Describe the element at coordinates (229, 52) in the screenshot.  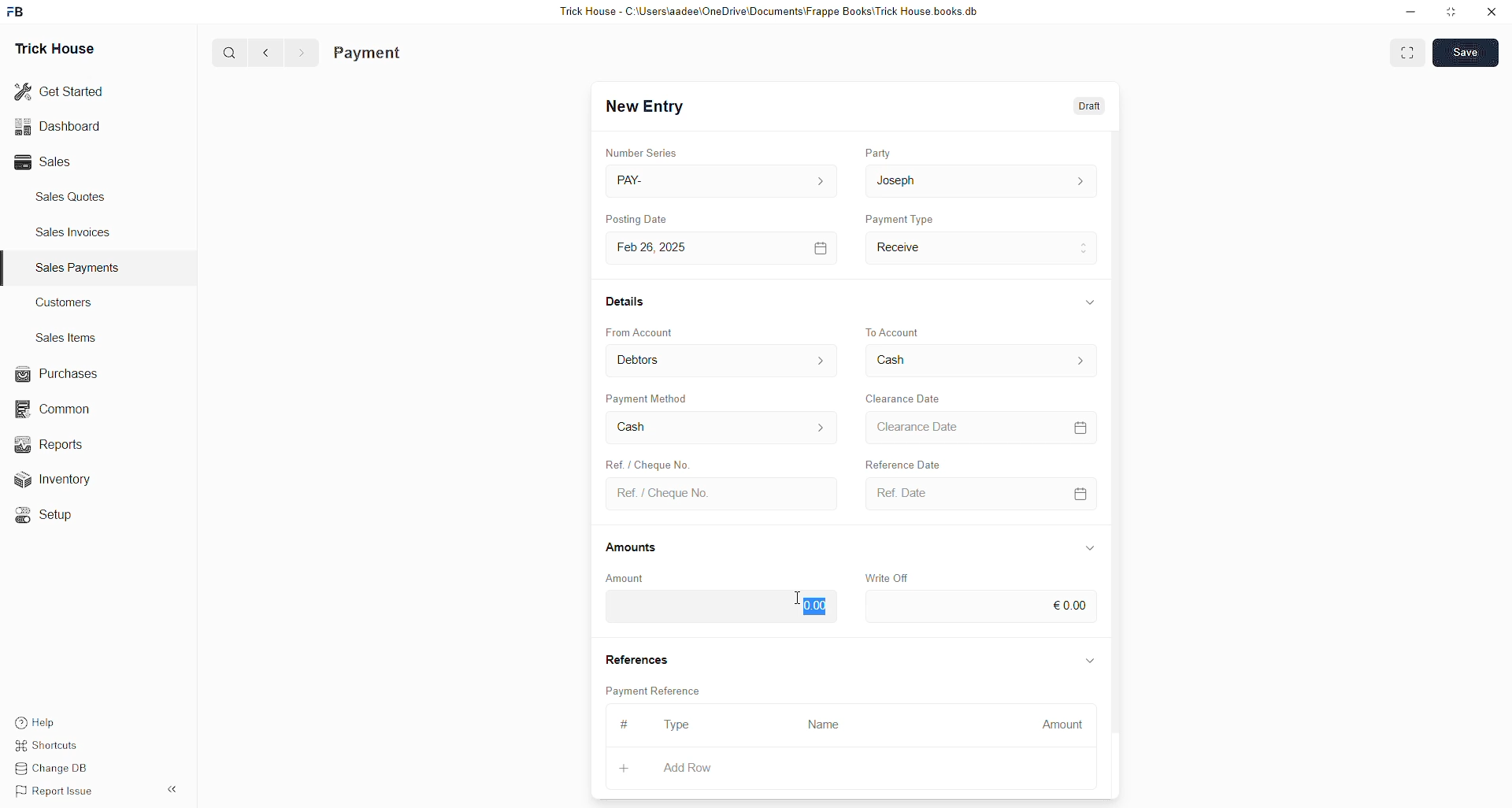
I see `Search` at that location.